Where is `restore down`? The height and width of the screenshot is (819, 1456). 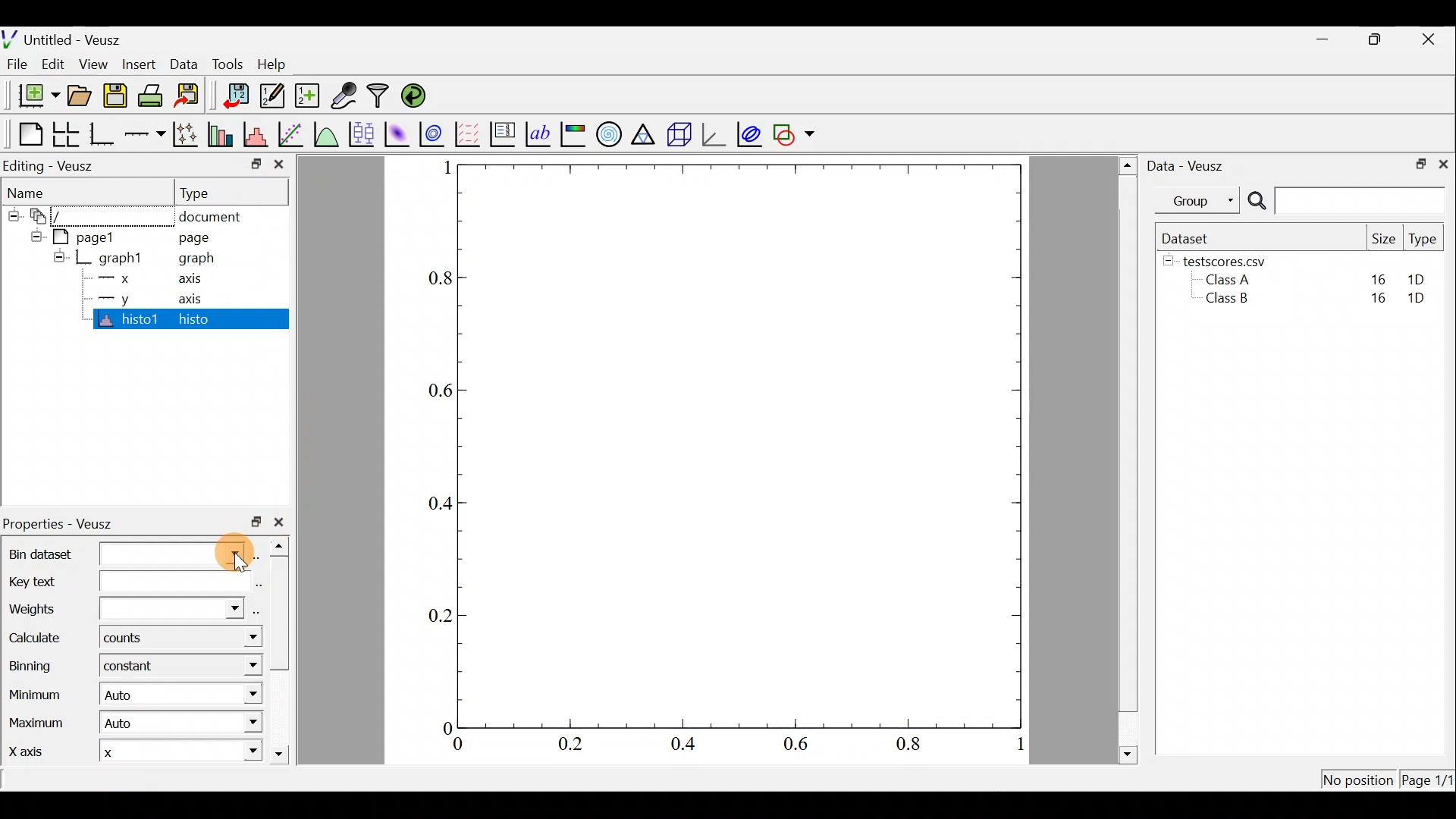
restore down is located at coordinates (252, 522).